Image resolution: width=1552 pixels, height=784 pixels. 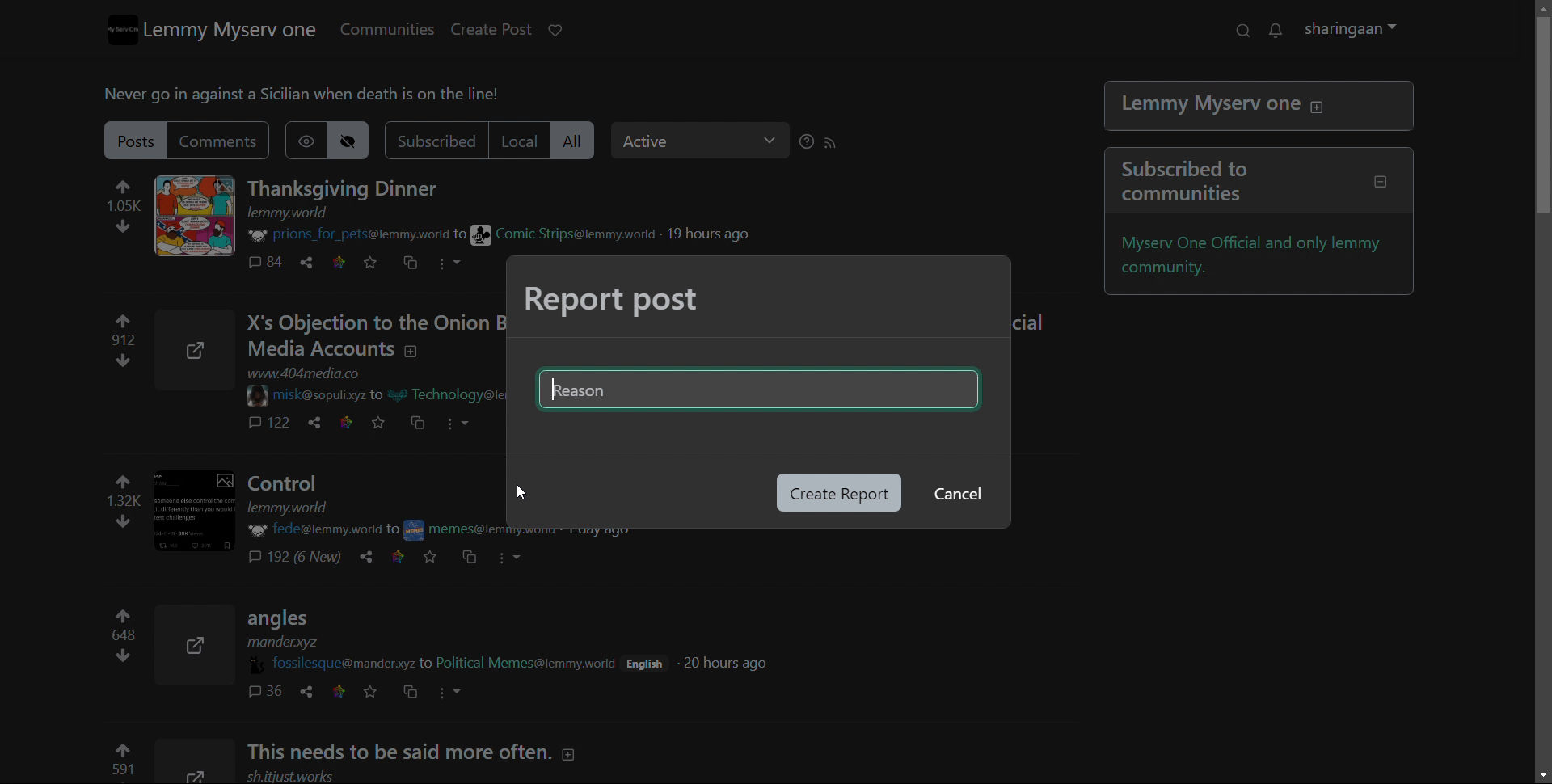 What do you see at coordinates (318, 374) in the screenshot?
I see `URL` at bounding box center [318, 374].